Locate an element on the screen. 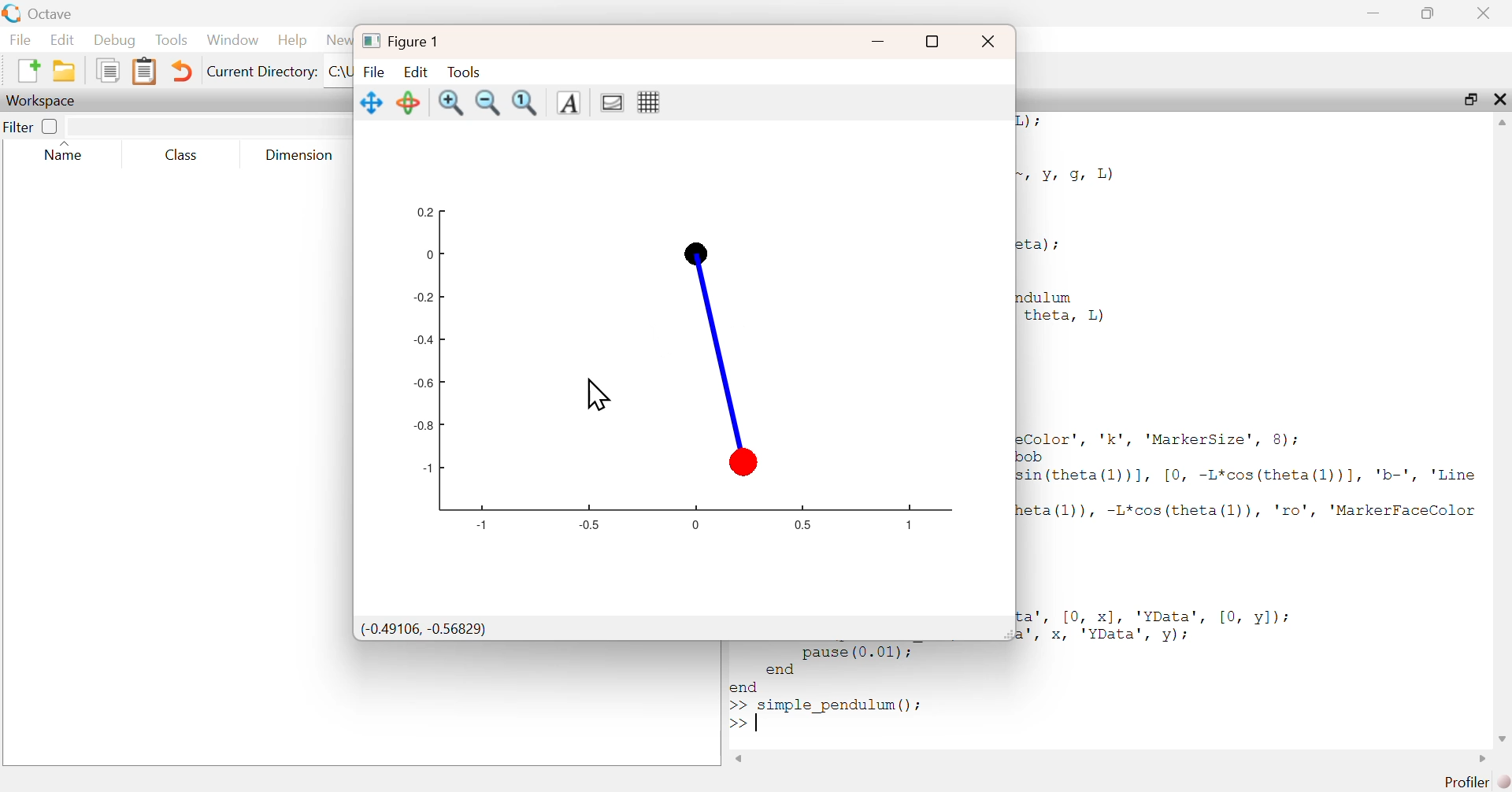 The image size is (1512, 792). Rotate is located at coordinates (409, 103).